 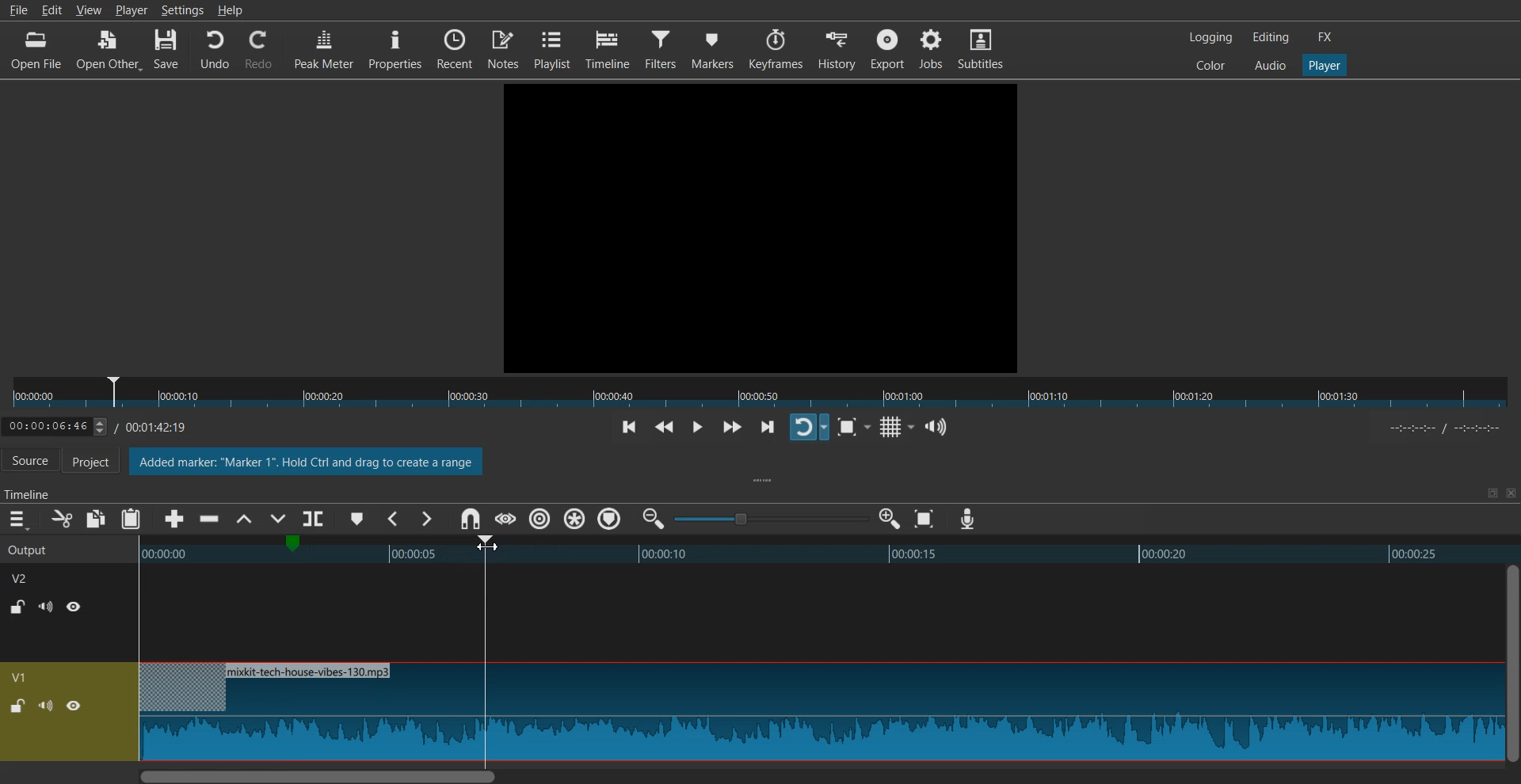 What do you see at coordinates (838, 49) in the screenshot?
I see `History` at bounding box center [838, 49].